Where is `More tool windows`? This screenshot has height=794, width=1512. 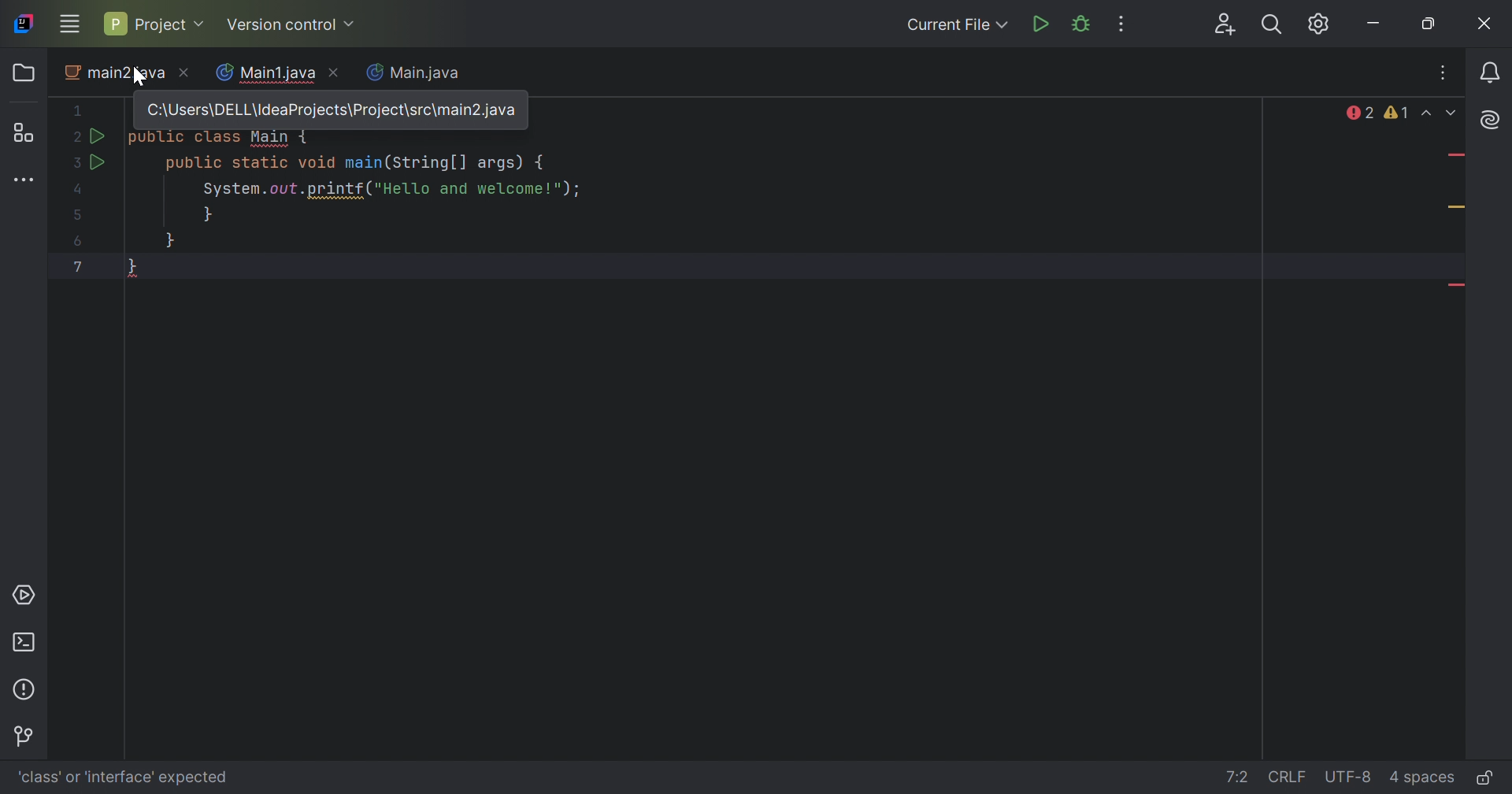 More tool windows is located at coordinates (24, 180).